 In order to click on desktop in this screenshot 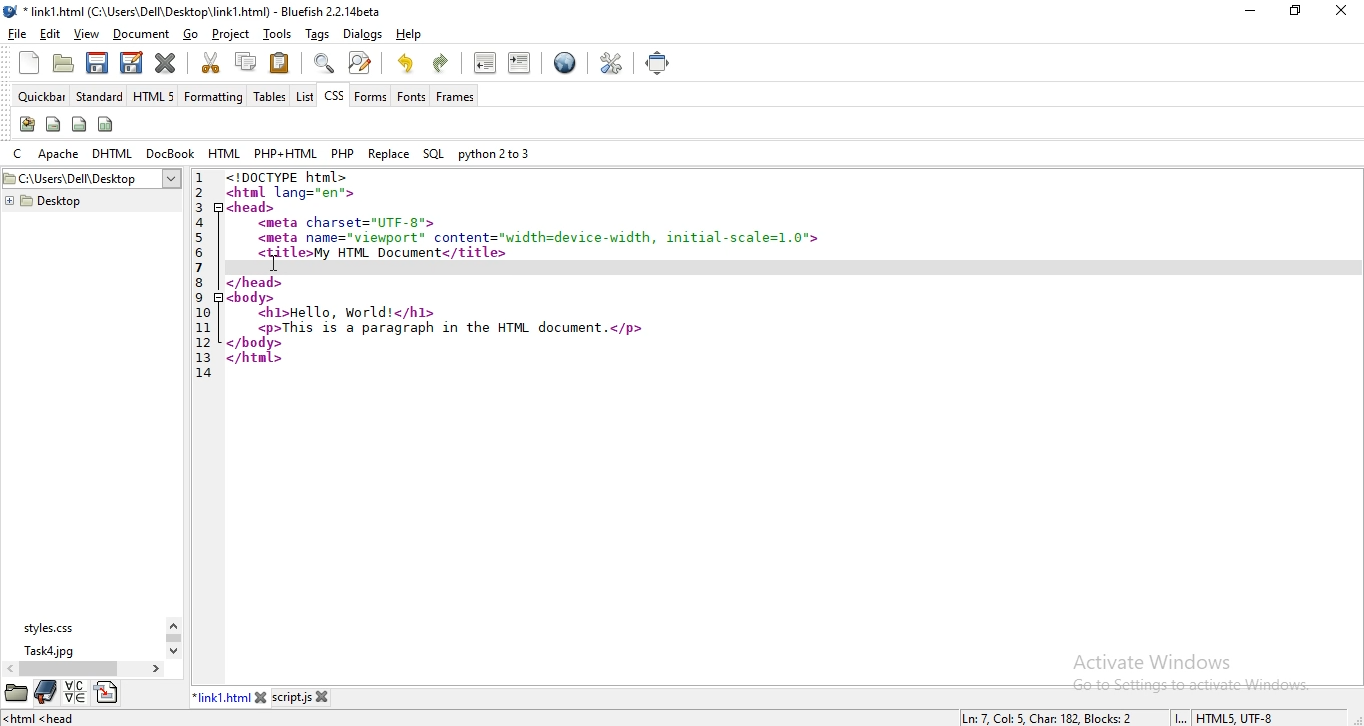, I will do `click(93, 179)`.